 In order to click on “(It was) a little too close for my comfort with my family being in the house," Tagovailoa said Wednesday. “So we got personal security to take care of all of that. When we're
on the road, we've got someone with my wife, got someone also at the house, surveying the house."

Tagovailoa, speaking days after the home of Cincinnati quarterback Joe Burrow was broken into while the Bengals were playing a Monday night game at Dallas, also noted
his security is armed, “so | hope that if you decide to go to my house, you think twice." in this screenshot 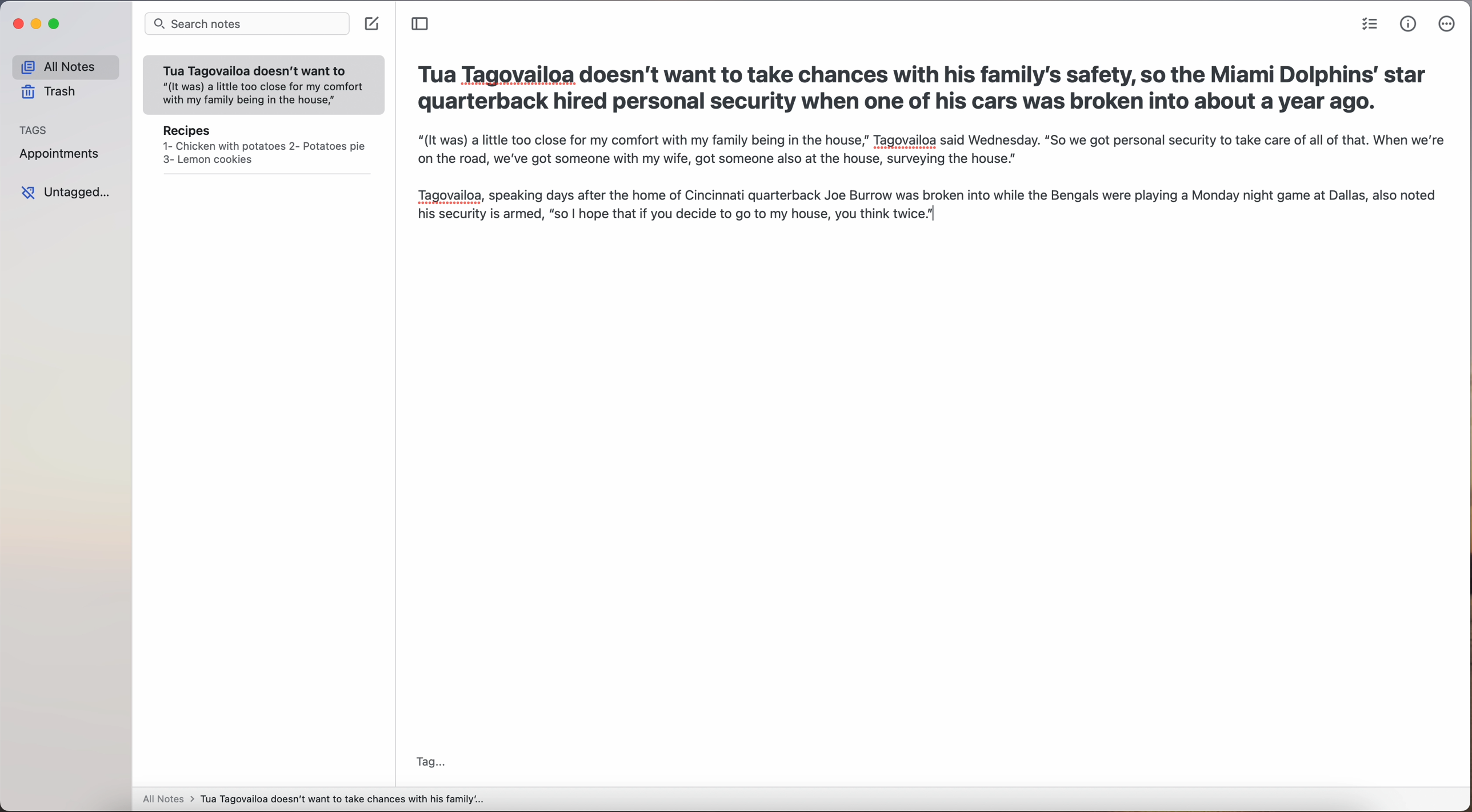, I will do `click(933, 193)`.